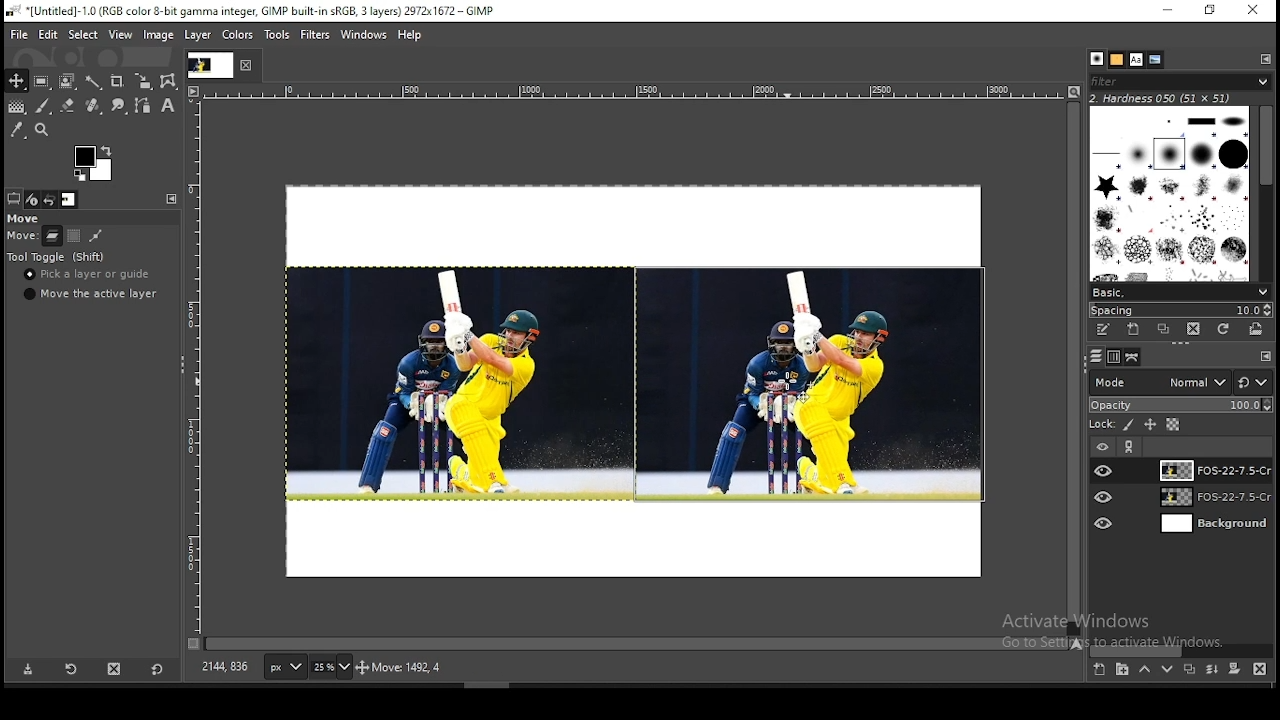 The height and width of the screenshot is (720, 1280). I want to click on add a mask, so click(1232, 670).